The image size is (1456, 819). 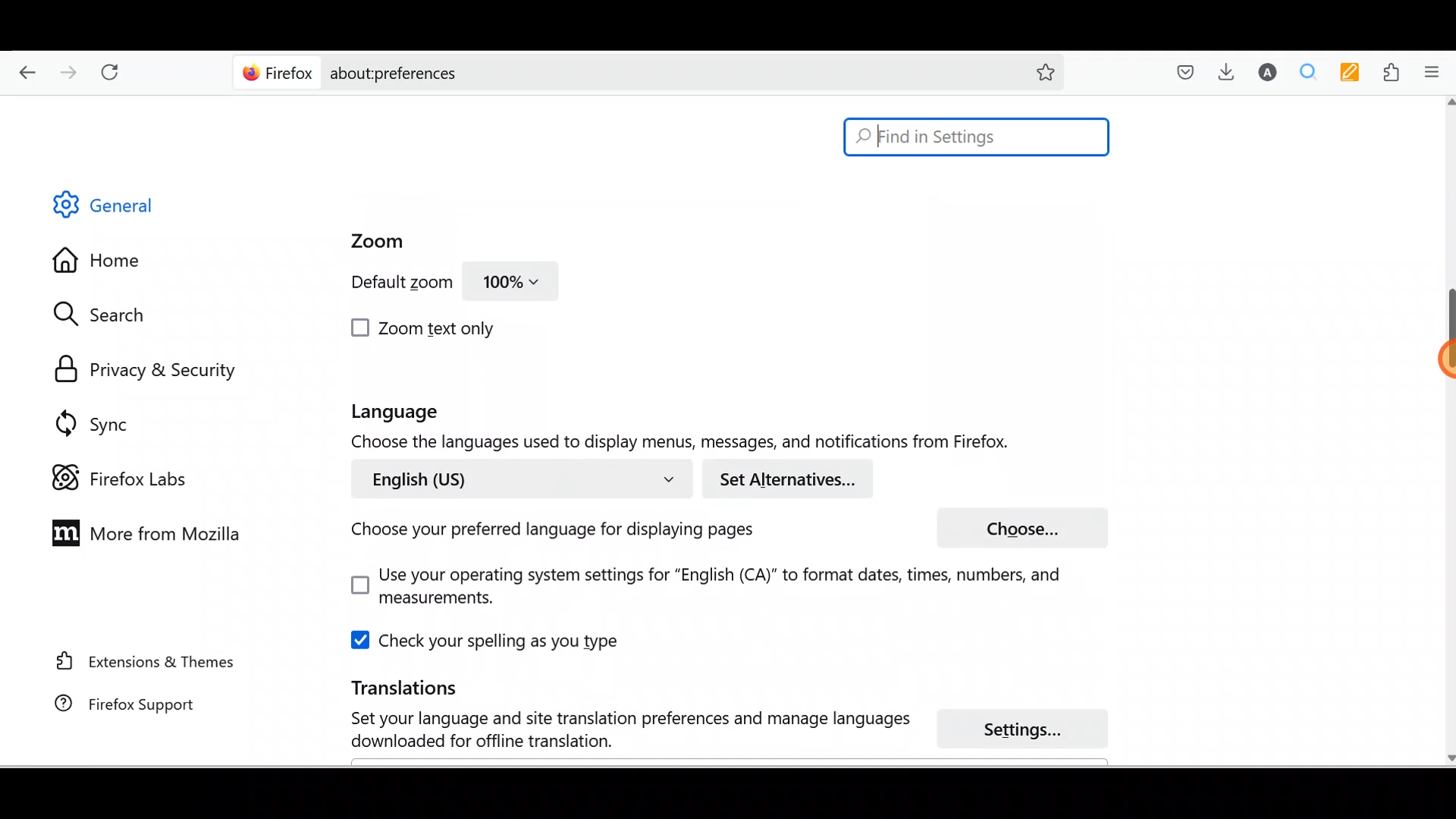 What do you see at coordinates (1031, 730) in the screenshot?
I see `Settings` at bounding box center [1031, 730].